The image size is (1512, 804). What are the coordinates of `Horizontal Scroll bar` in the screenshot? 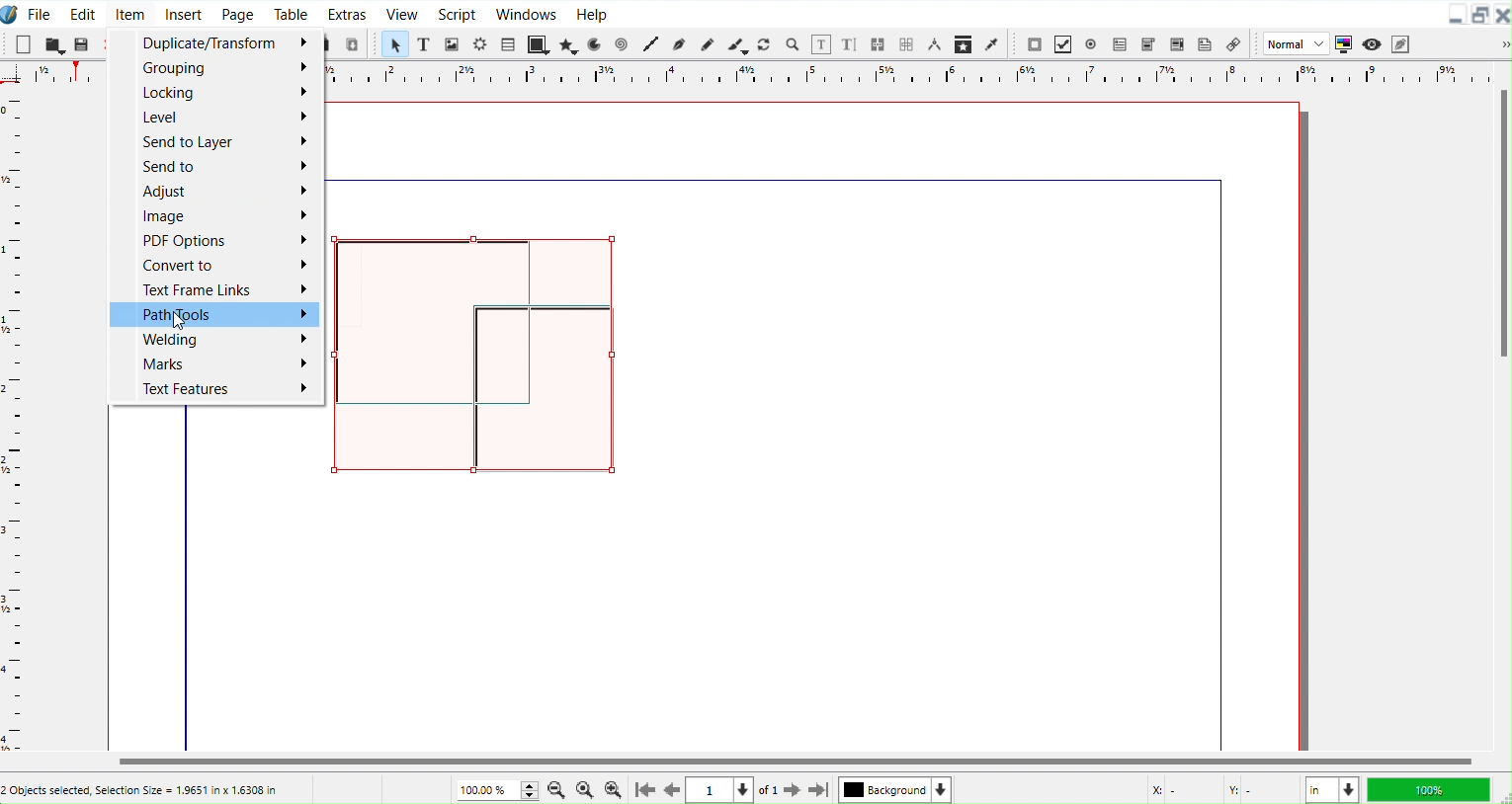 It's located at (755, 762).